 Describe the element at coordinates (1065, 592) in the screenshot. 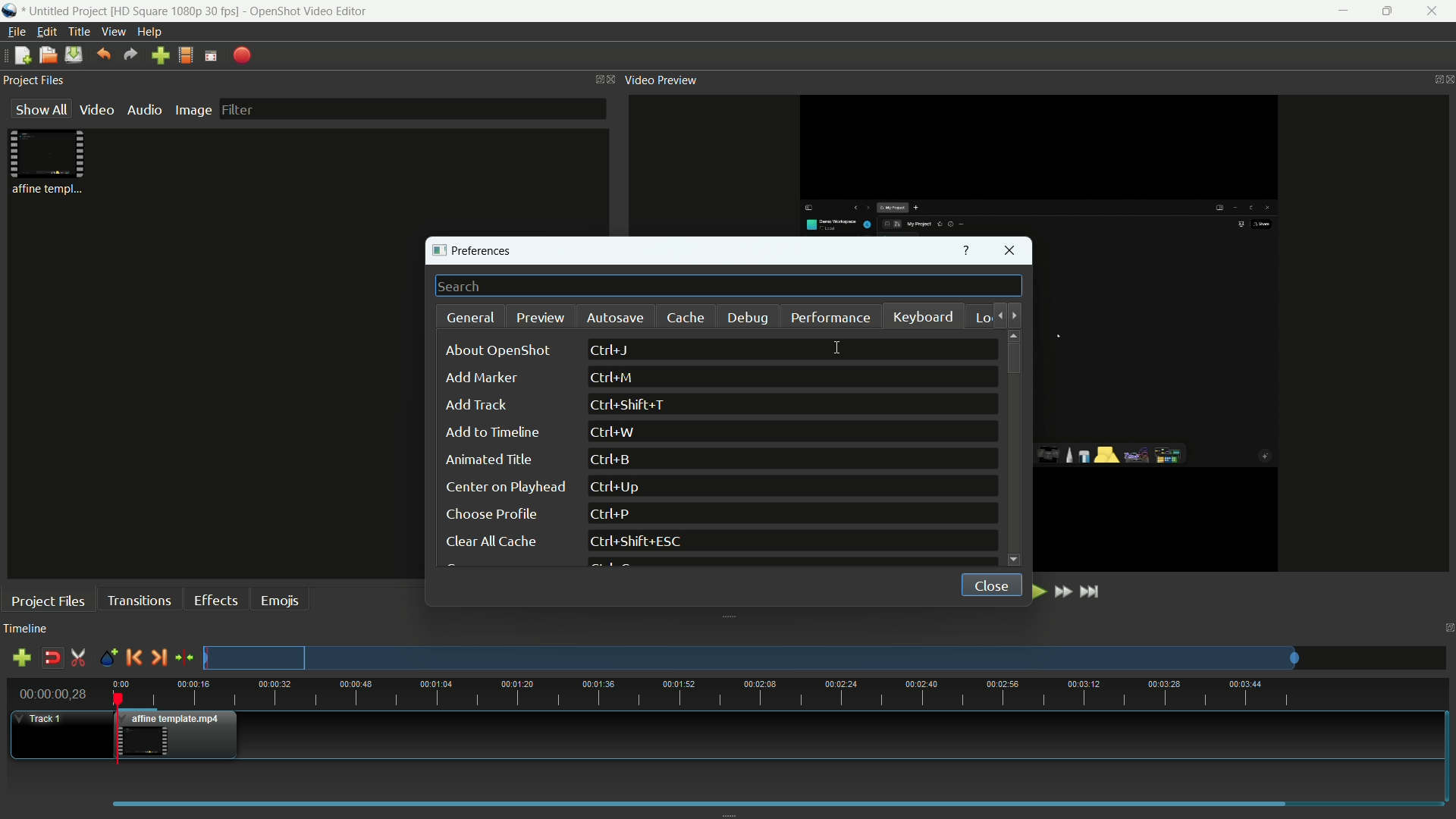

I see `fast forward` at that location.